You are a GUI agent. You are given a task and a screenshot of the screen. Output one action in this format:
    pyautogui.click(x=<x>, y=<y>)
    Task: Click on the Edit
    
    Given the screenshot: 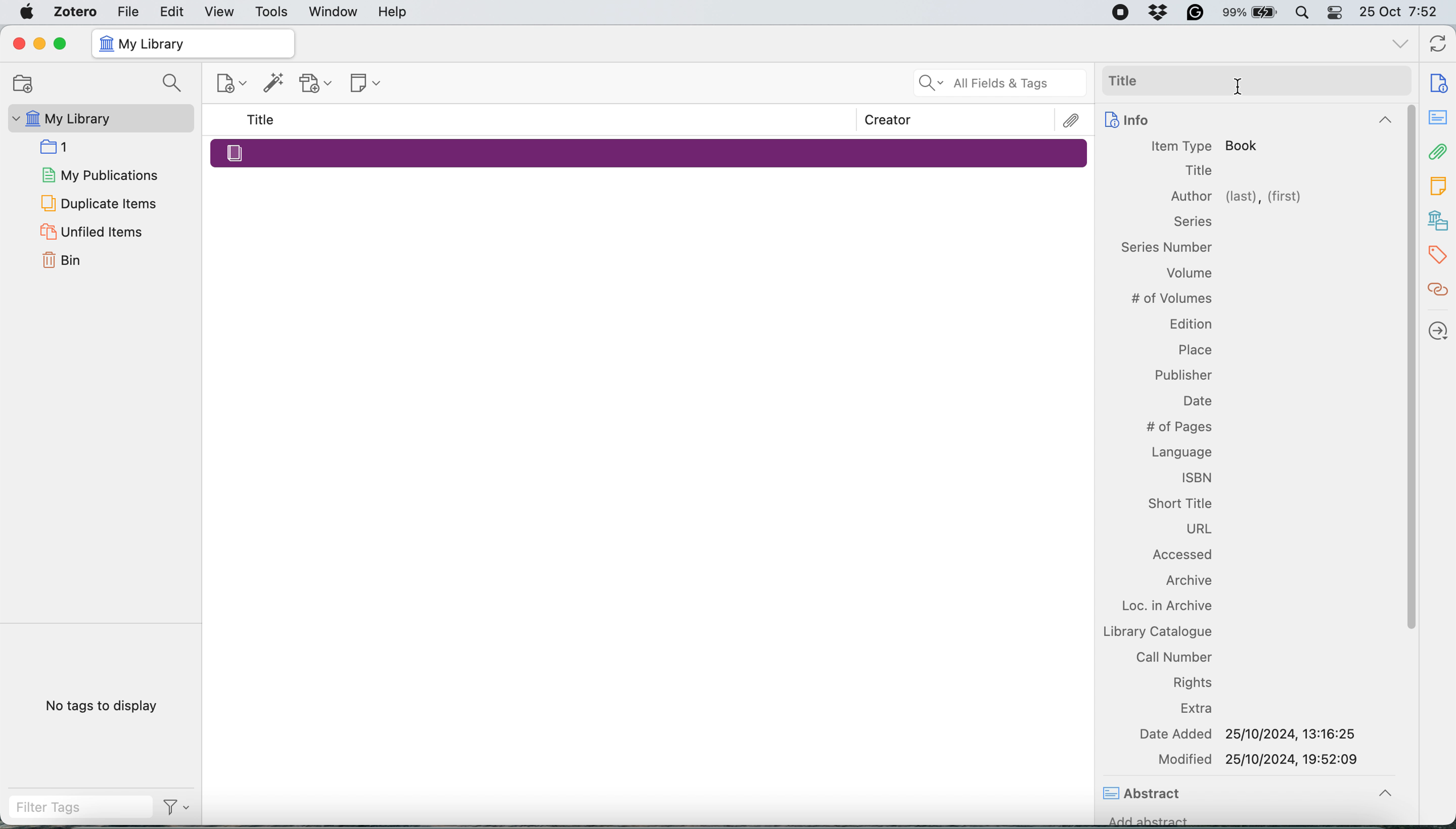 What is the action you would take?
    pyautogui.click(x=173, y=11)
    